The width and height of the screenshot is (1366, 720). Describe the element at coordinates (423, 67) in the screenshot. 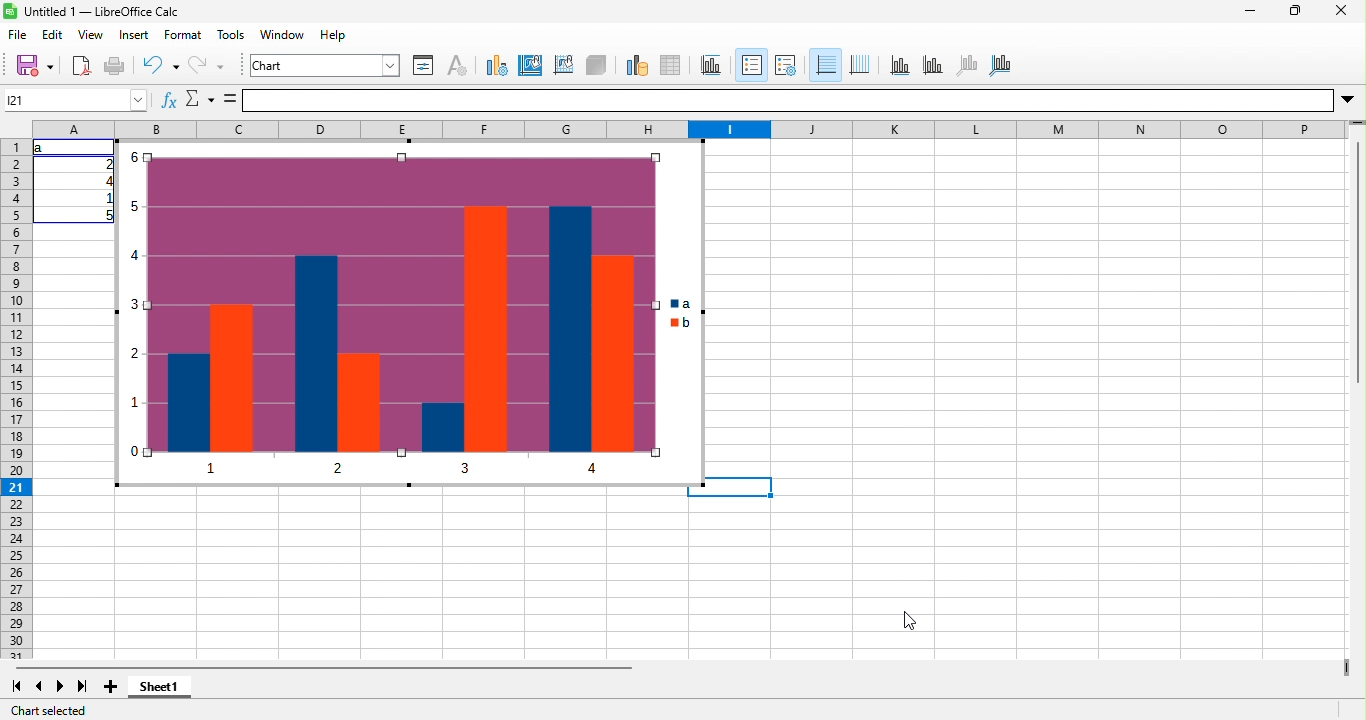

I see `format selection` at that location.